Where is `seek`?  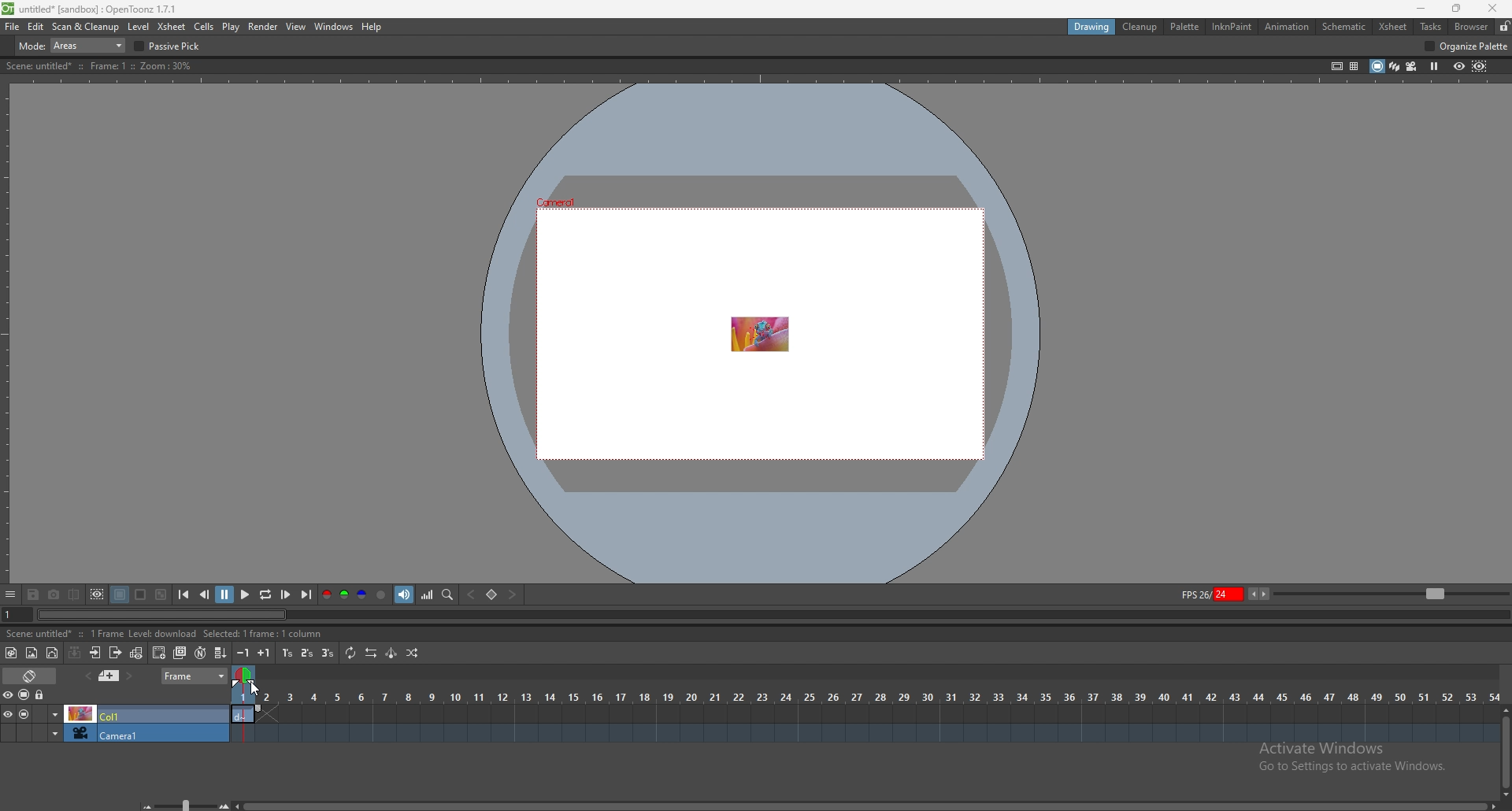
seek is located at coordinates (770, 616).